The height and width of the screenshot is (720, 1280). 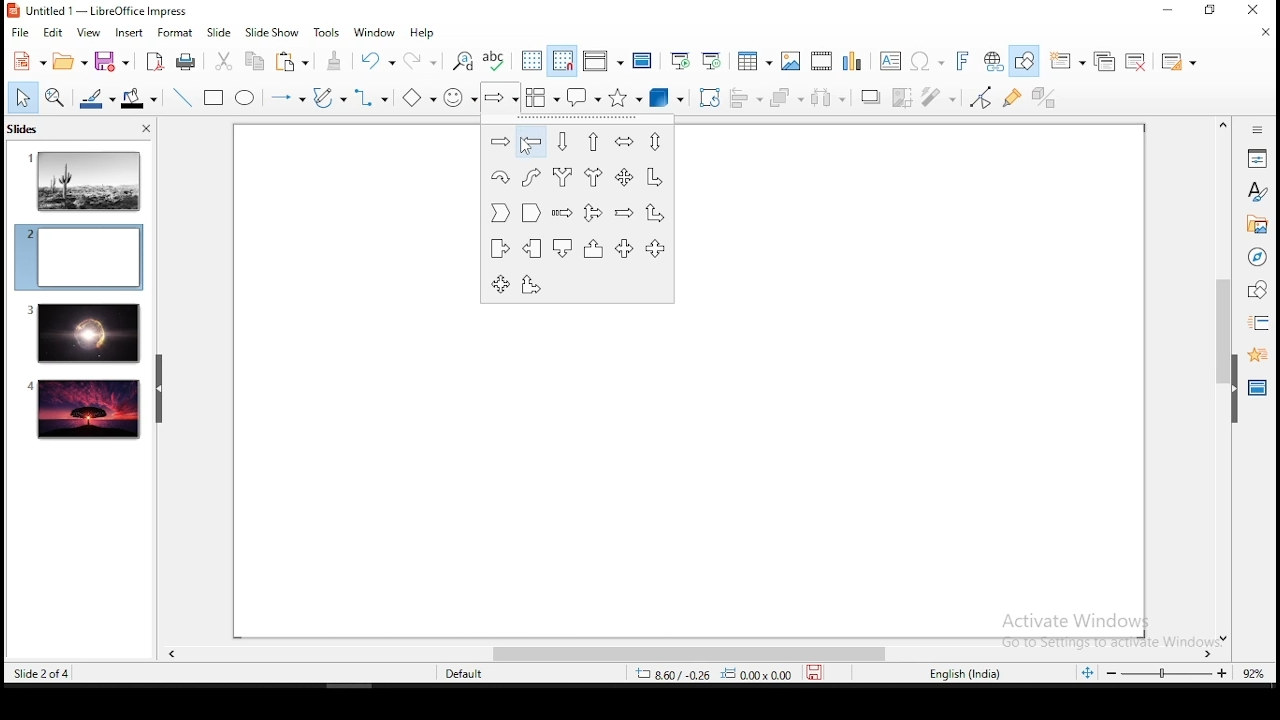 What do you see at coordinates (713, 60) in the screenshot?
I see `start from current slide` at bounding box center [713, 60].